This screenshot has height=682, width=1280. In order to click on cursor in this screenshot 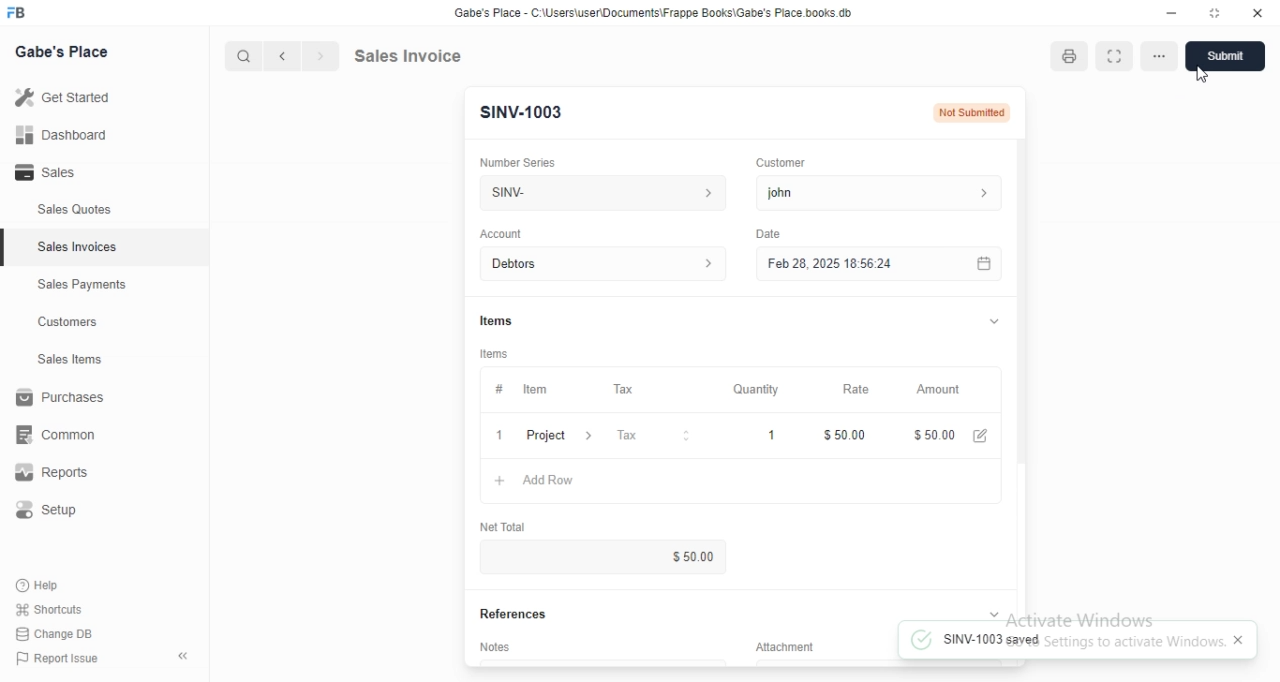, I will do `click(234, 56)`.